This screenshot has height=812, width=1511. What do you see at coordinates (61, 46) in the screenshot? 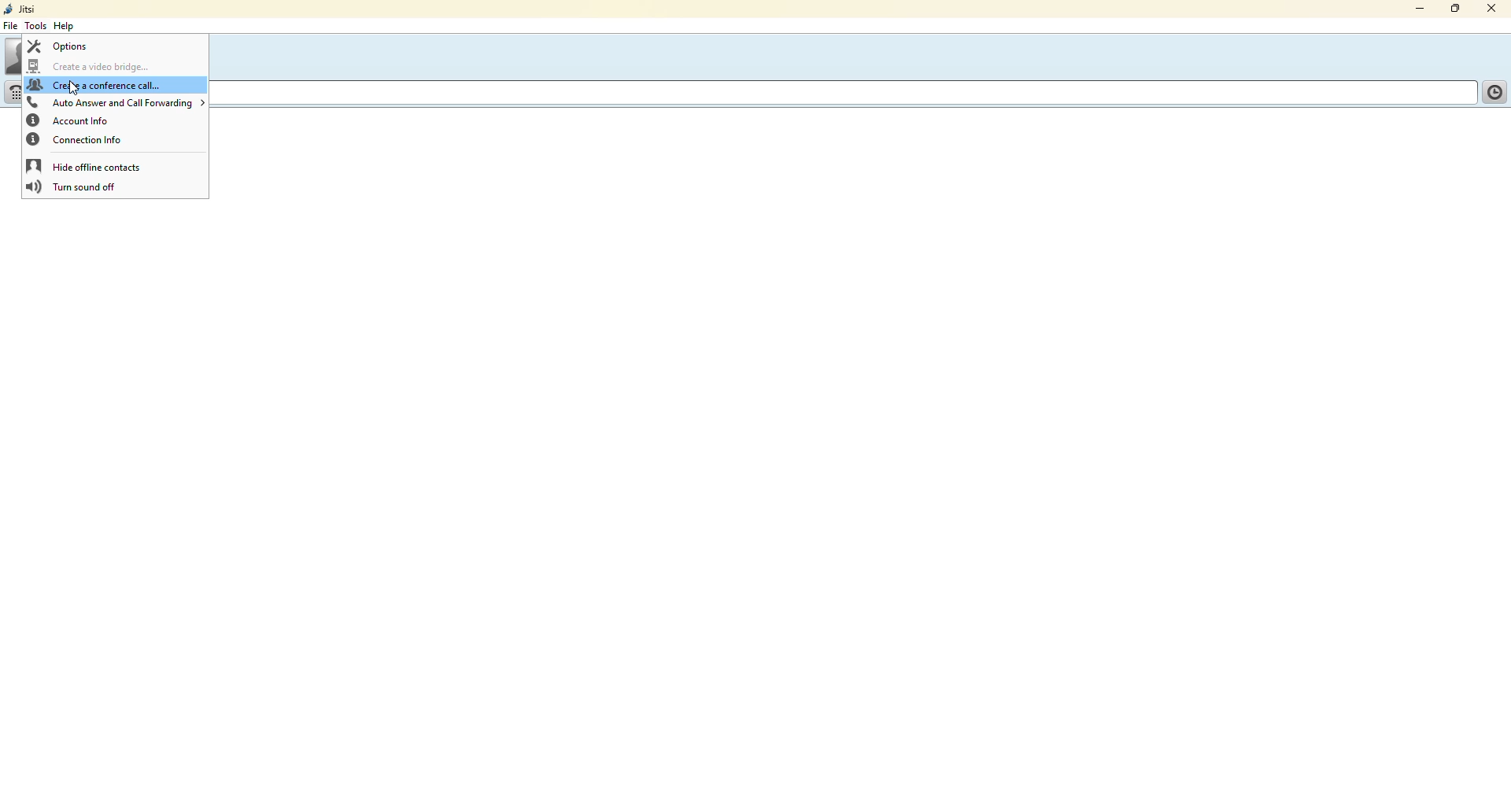
I see `options` at bounding box center [61, 46].